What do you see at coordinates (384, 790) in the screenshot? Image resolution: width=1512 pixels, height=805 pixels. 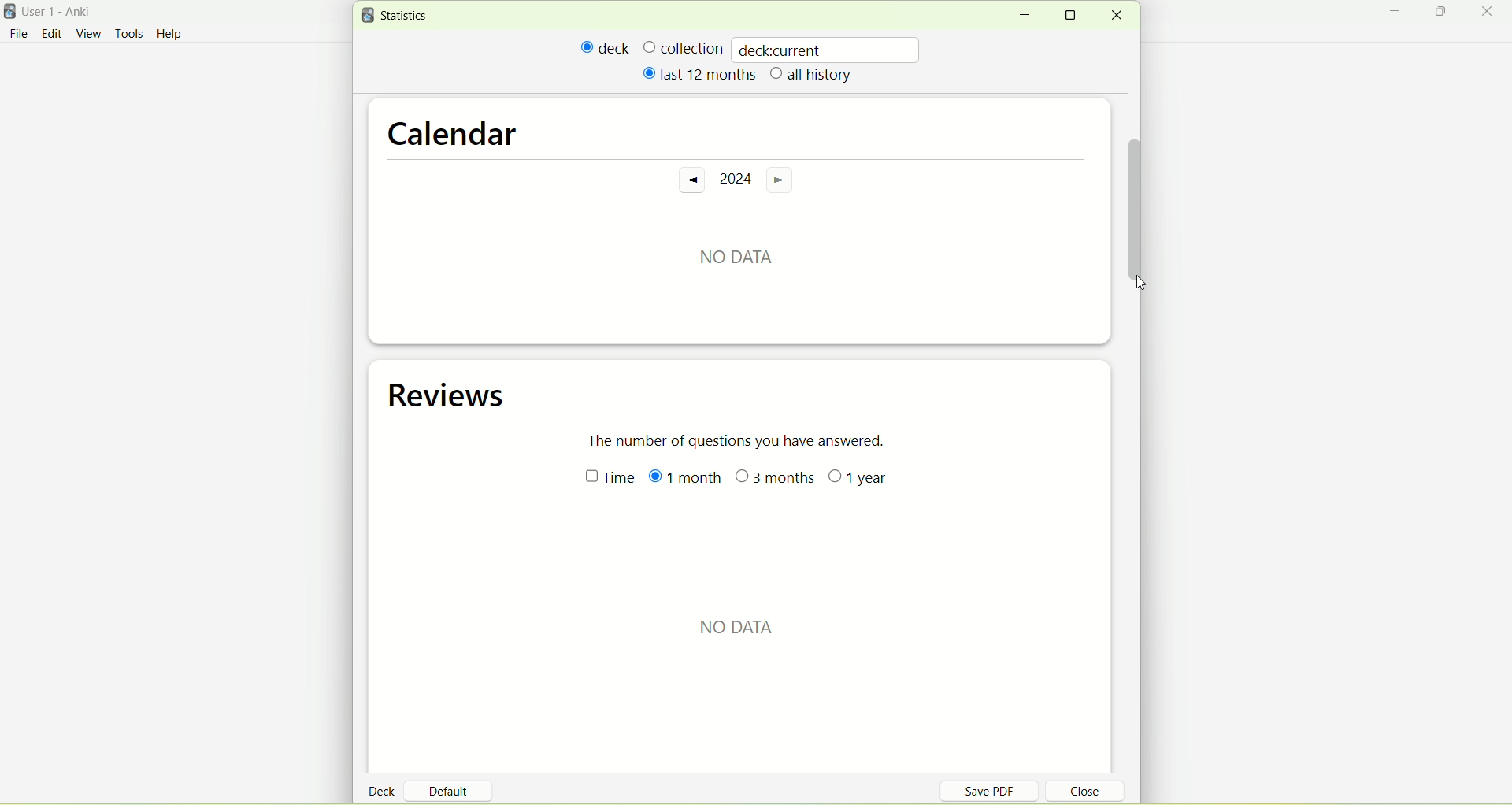 I see `deck` at bounding box center [384, 790].